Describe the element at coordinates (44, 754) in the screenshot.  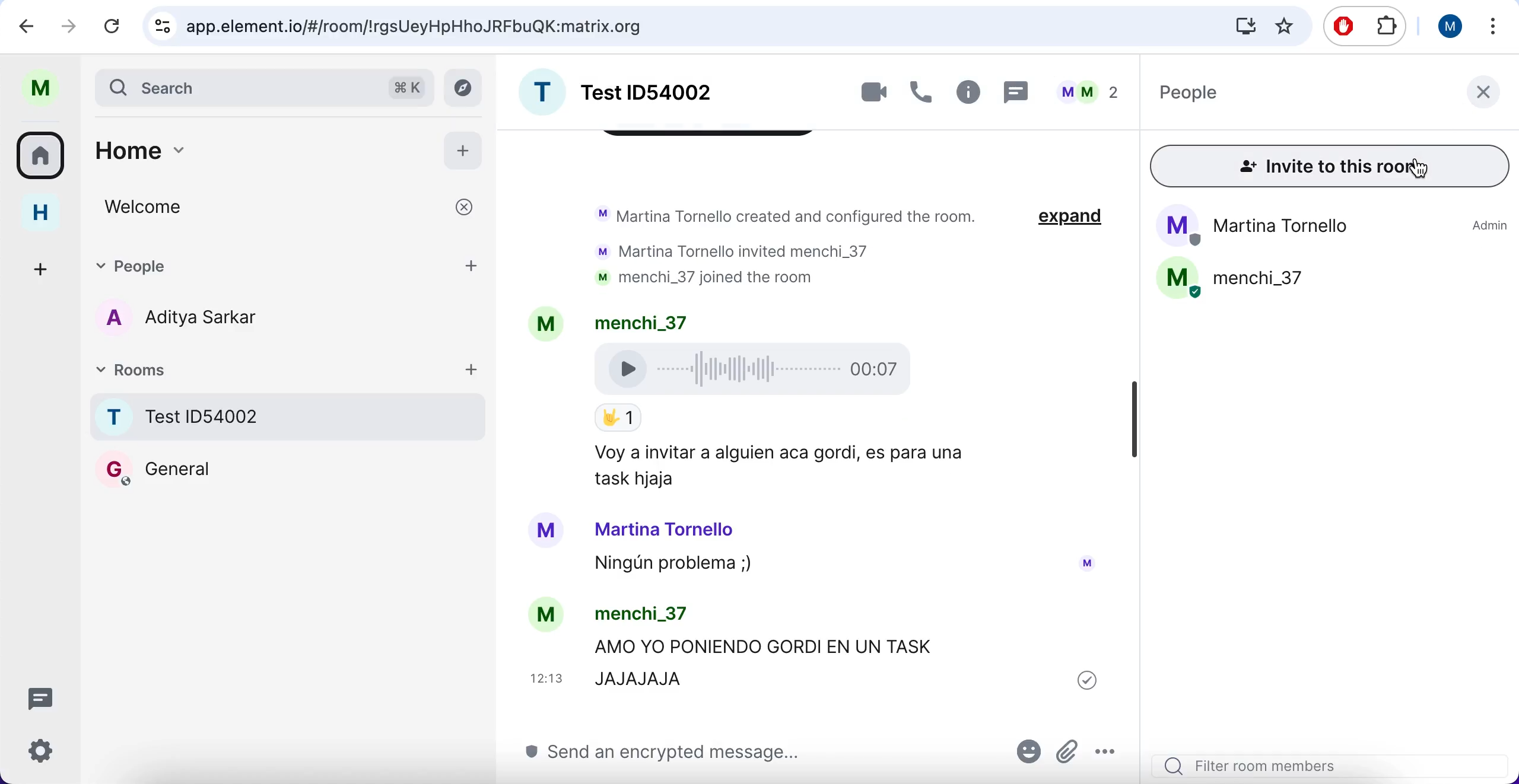
I see `configuration` at that location.